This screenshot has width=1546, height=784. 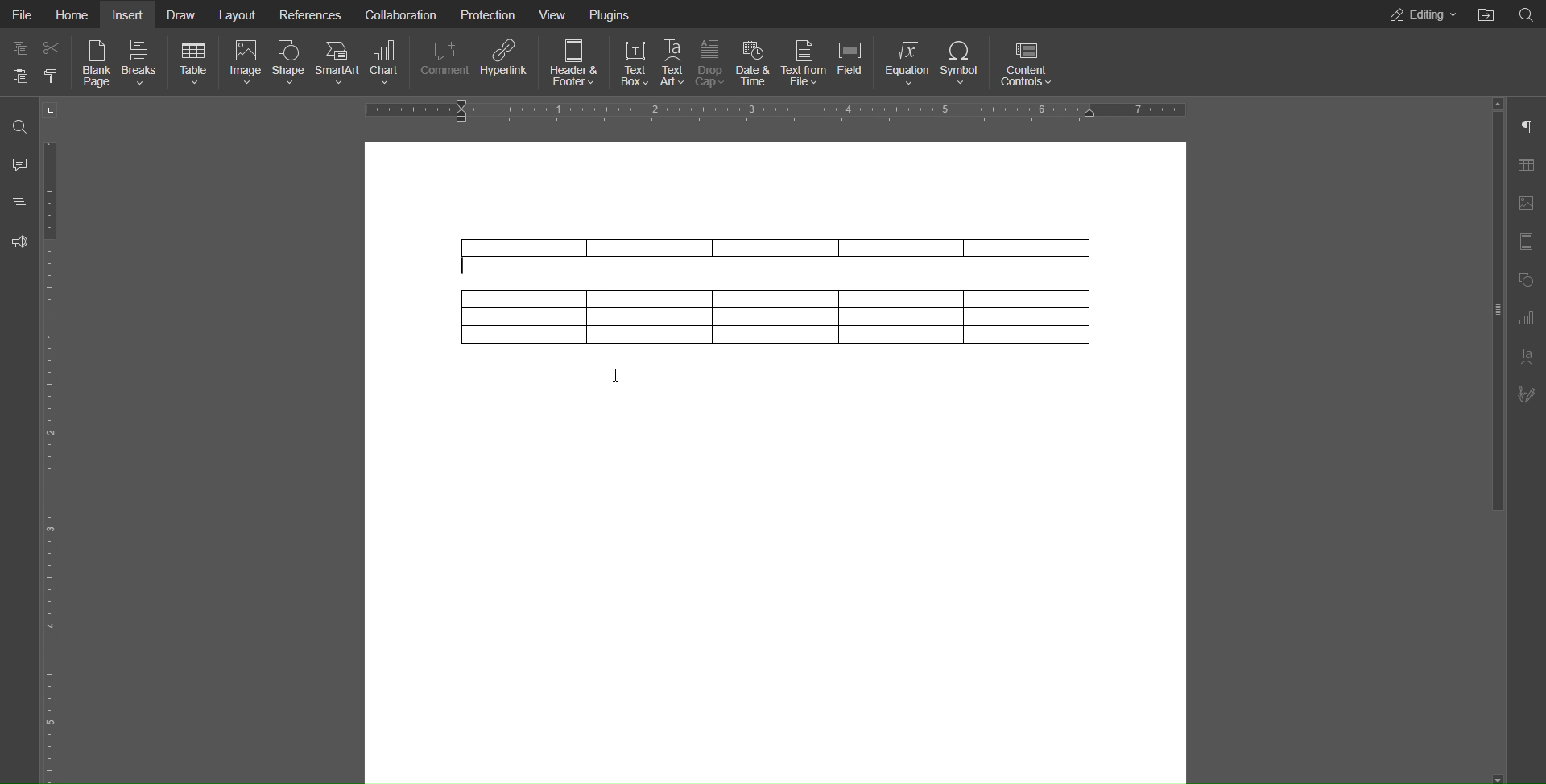 What do you see at coordinates (1527, 394) in the screenshot?
I see `Signature` at bounding box center [1527, 394].